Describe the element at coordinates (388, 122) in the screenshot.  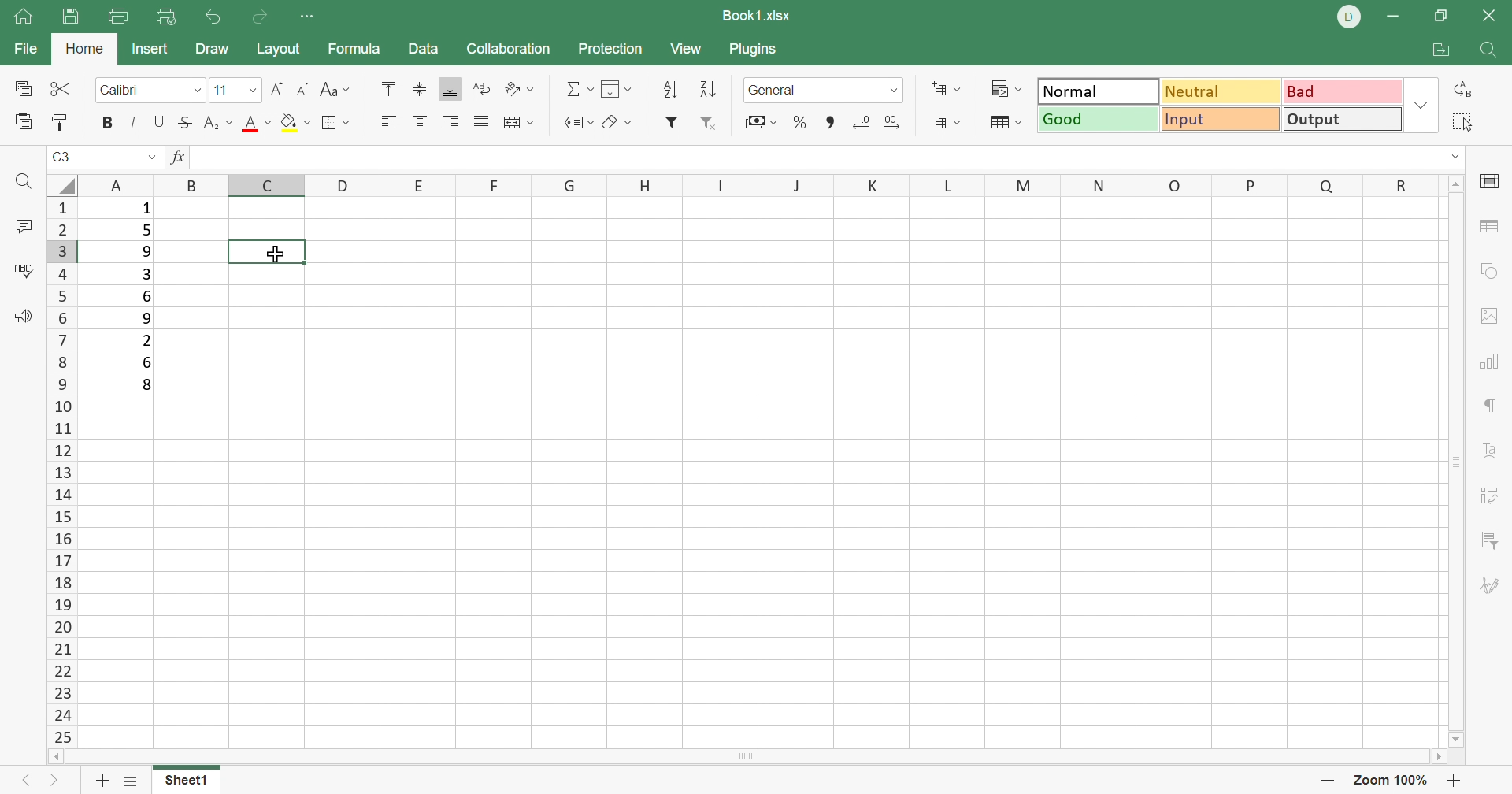
I see `Align Left` at that location.